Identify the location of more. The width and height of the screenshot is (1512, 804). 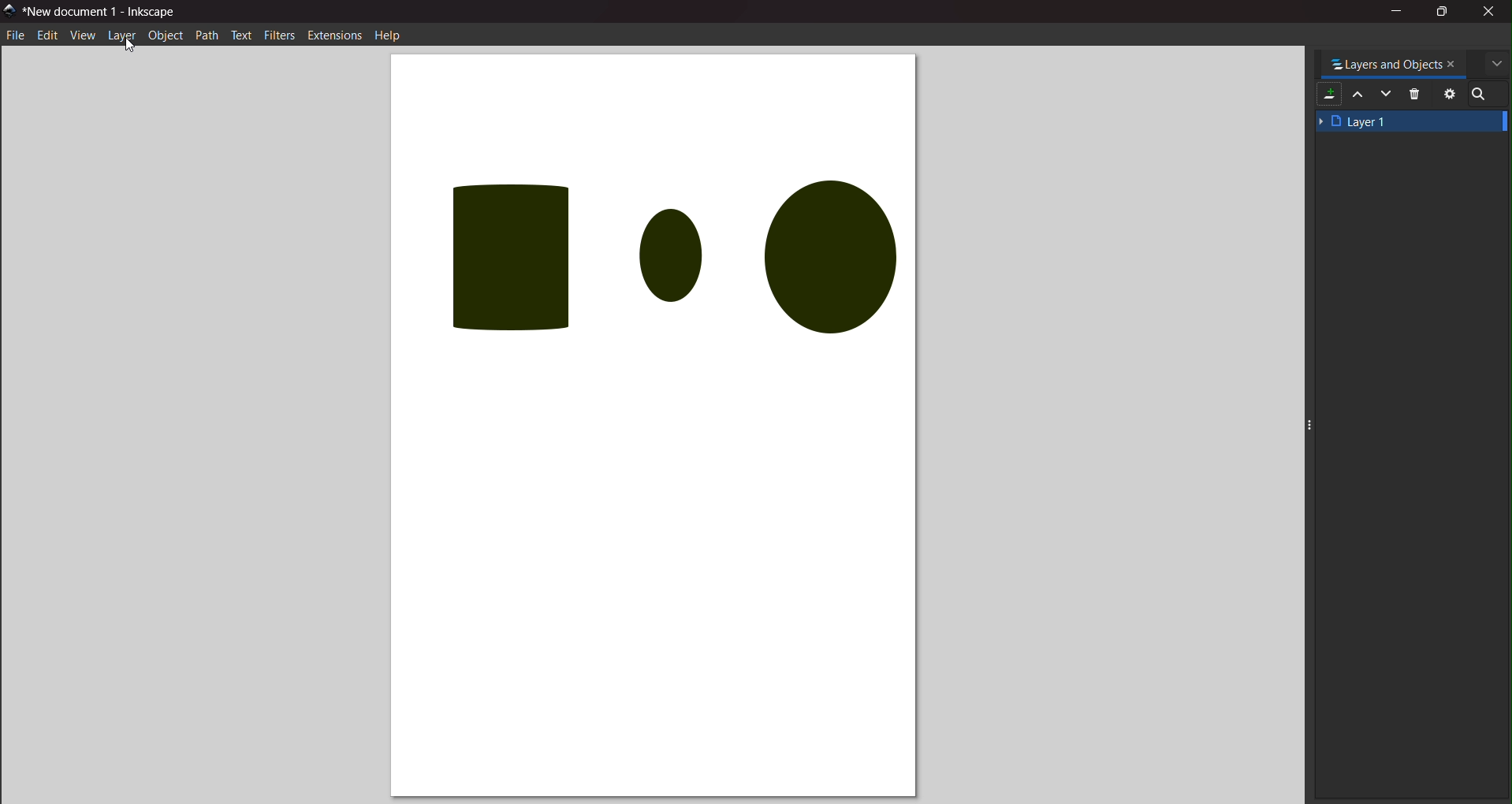
(1498, 65).